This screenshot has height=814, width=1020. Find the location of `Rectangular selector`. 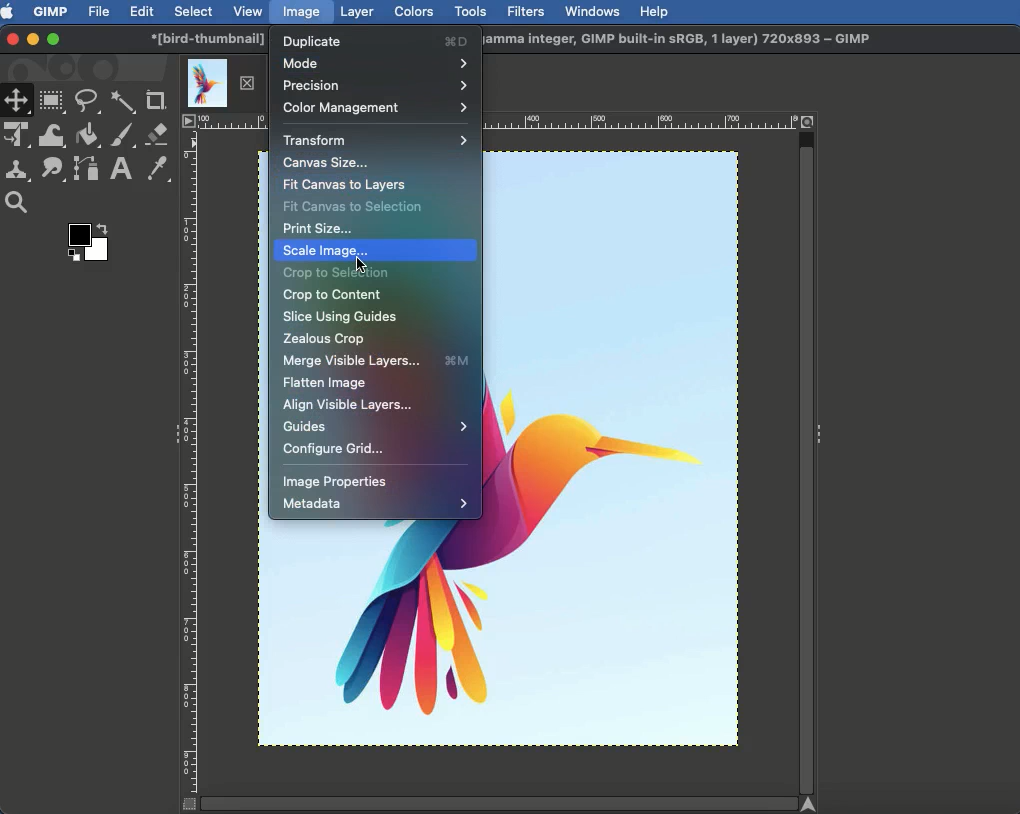

Rectangular selector is located at coordinates (52, 101).